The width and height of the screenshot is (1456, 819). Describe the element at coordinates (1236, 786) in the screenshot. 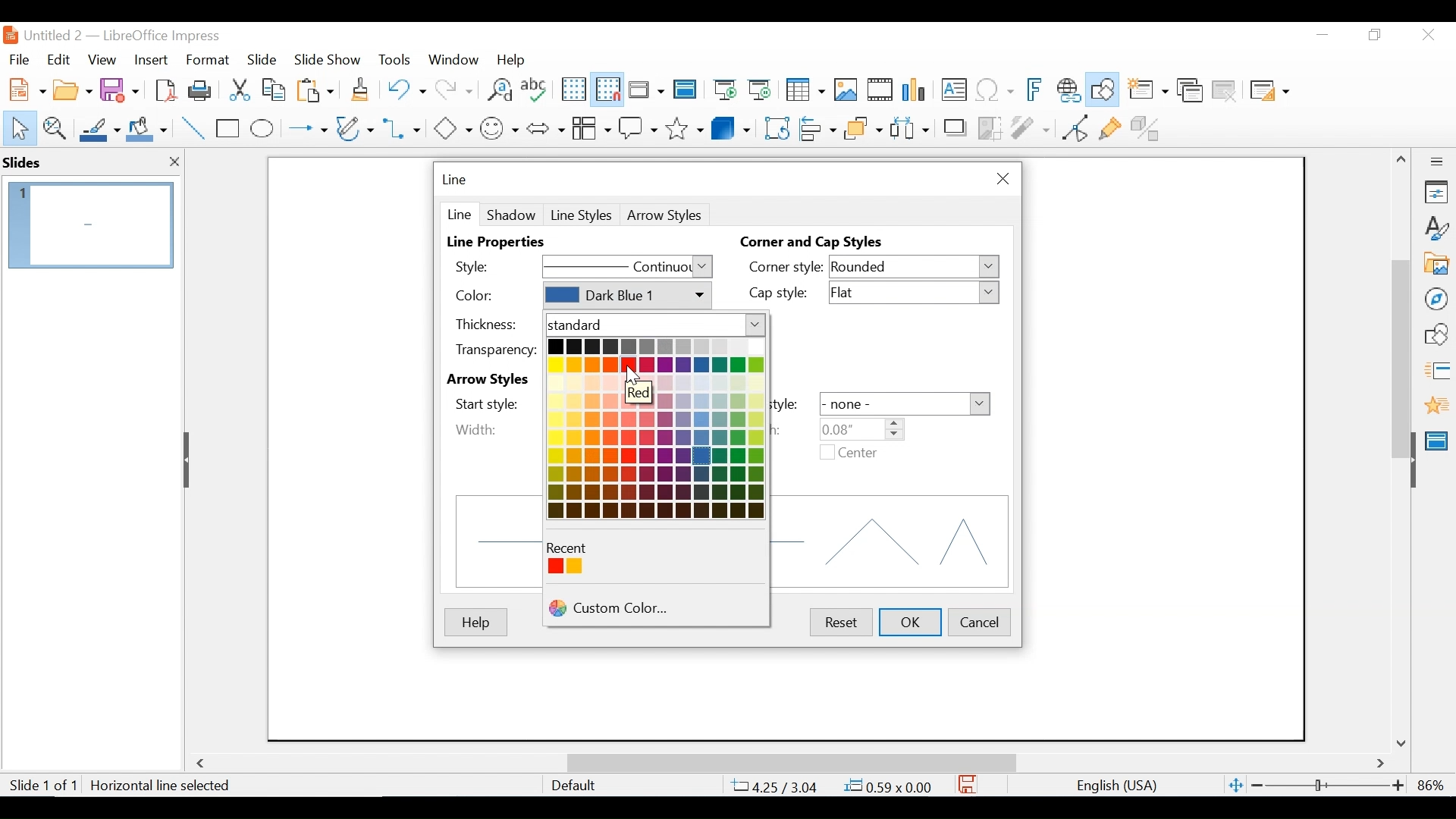

I see `Fit Slide to current window` at that location.